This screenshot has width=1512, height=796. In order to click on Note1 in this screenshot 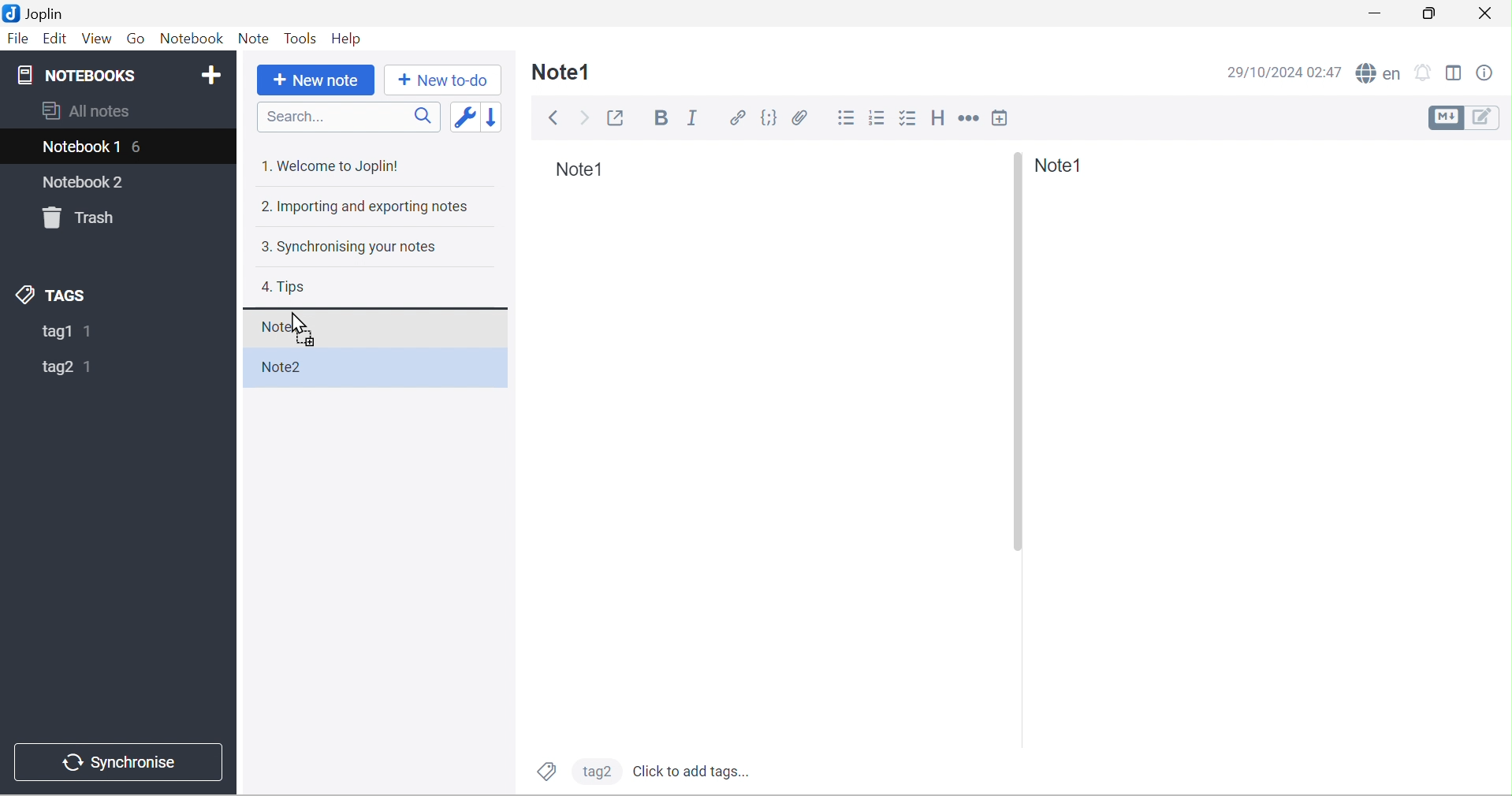, I will do `click(1062, 168)`.